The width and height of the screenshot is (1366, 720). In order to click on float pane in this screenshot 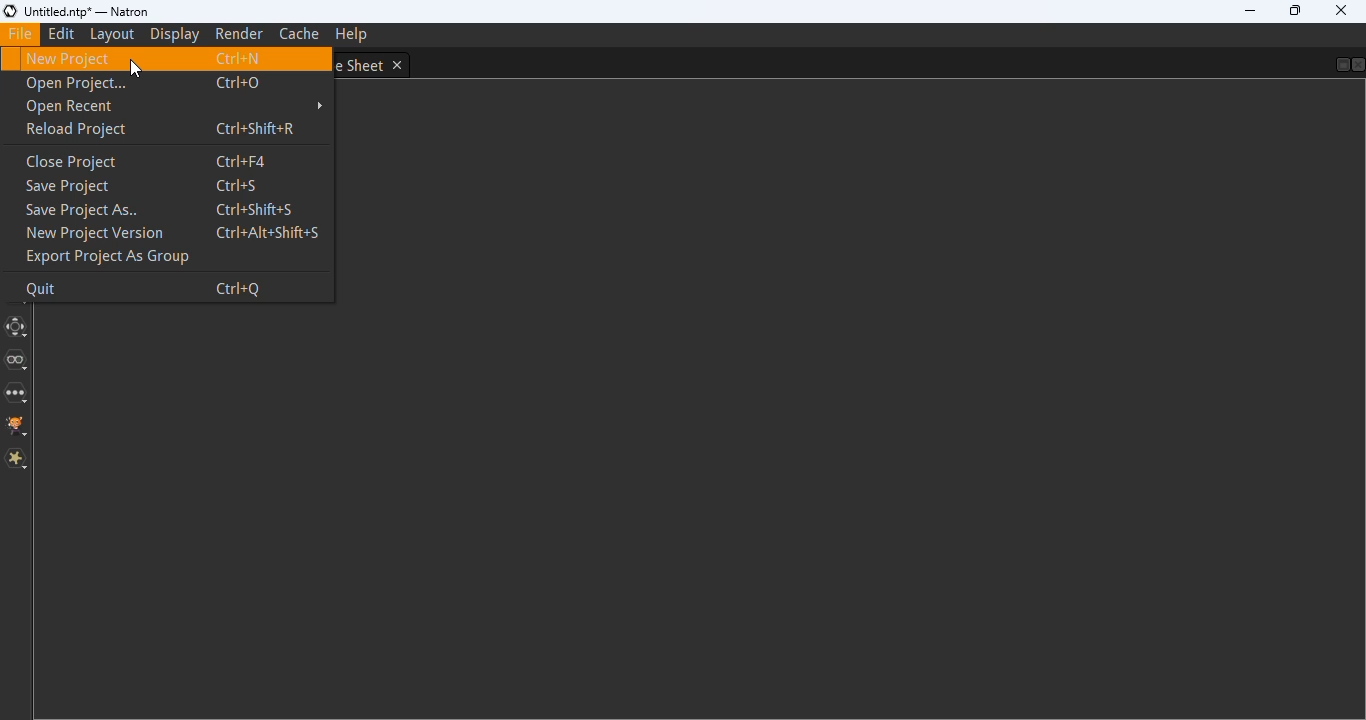, I will do `click(1340, 64)`.